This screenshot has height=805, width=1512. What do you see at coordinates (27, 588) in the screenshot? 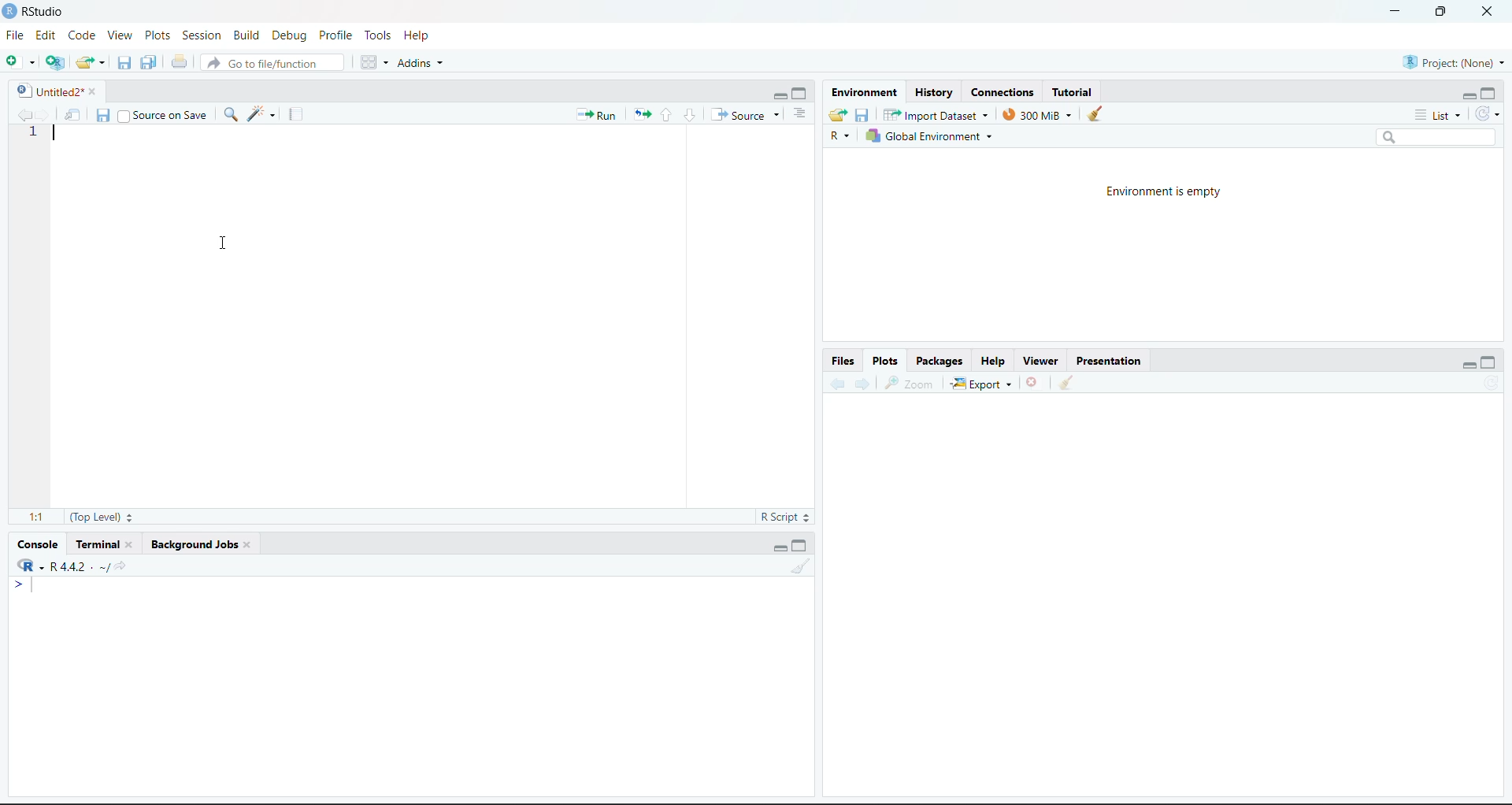
I see `typing cursor` at bounding box center [27, 588].